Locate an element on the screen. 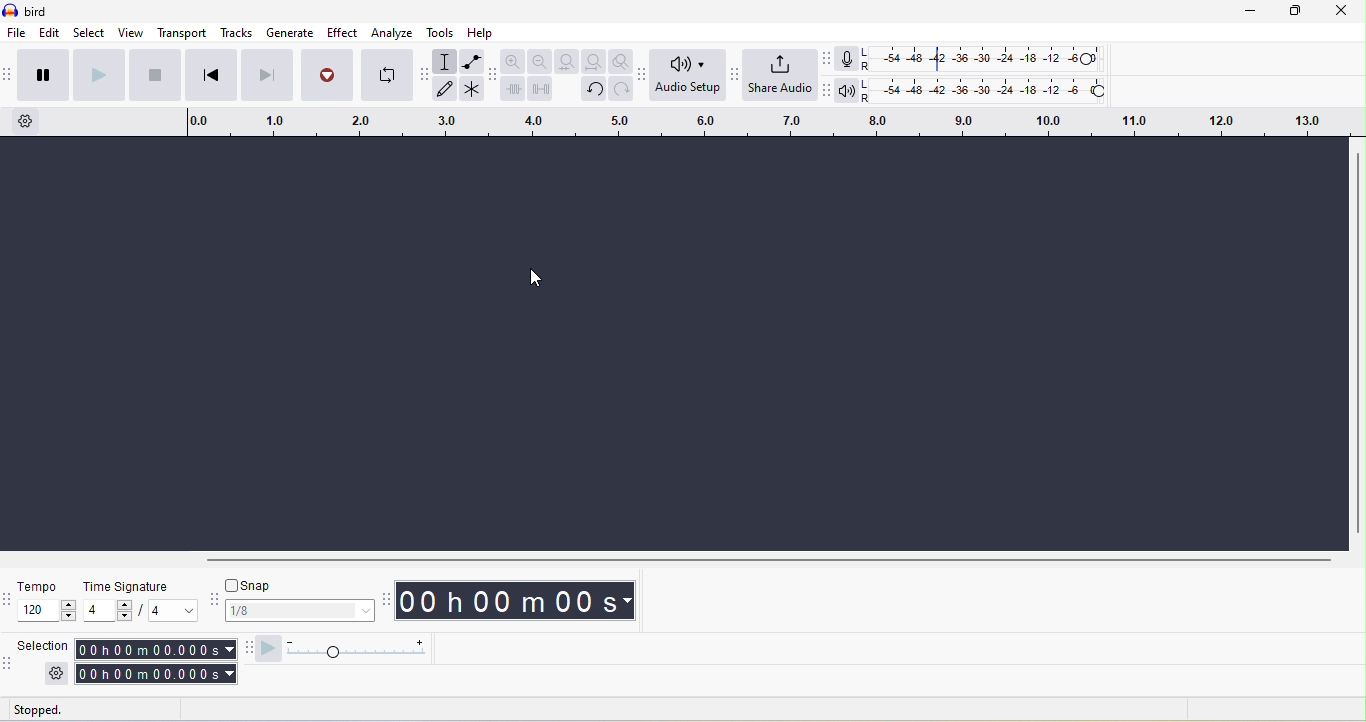 This screenshot has width=1366, height=722. time is located at coordinates (521, 600).